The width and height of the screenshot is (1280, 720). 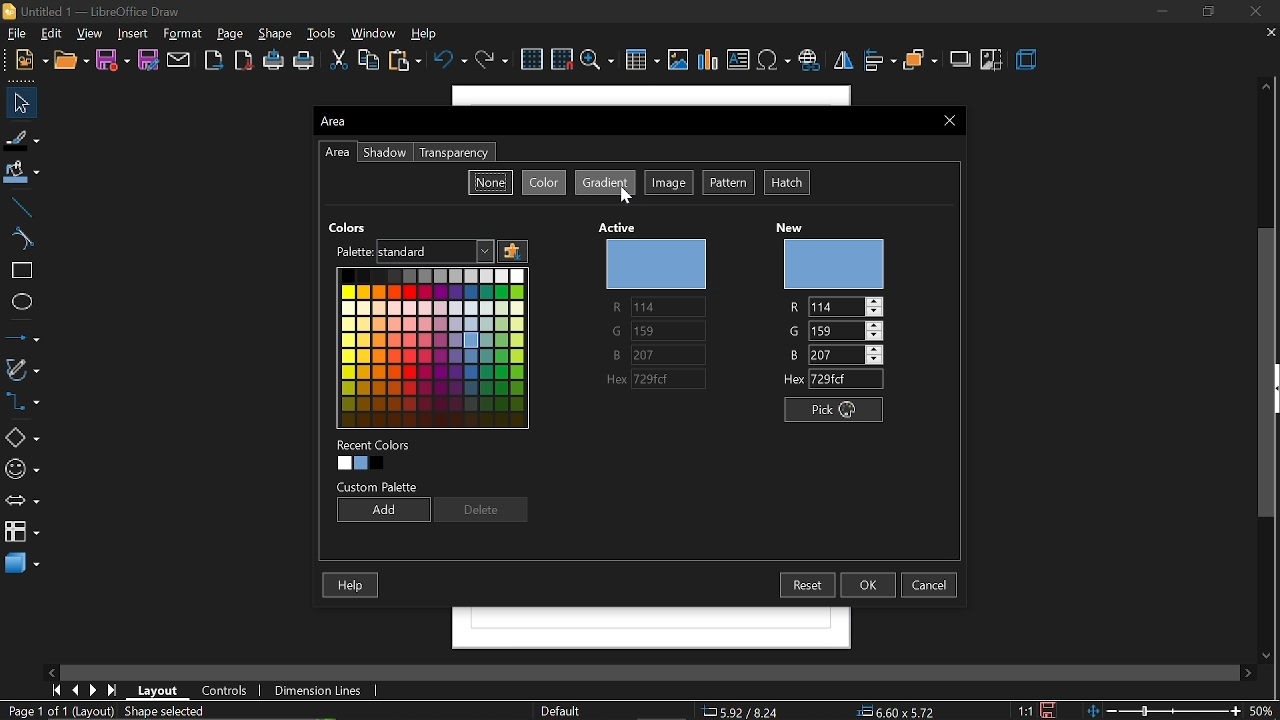 What do you see at coordinates (370, 61) in the screenshot?
I see `copy` at bounding box center [370, 61].